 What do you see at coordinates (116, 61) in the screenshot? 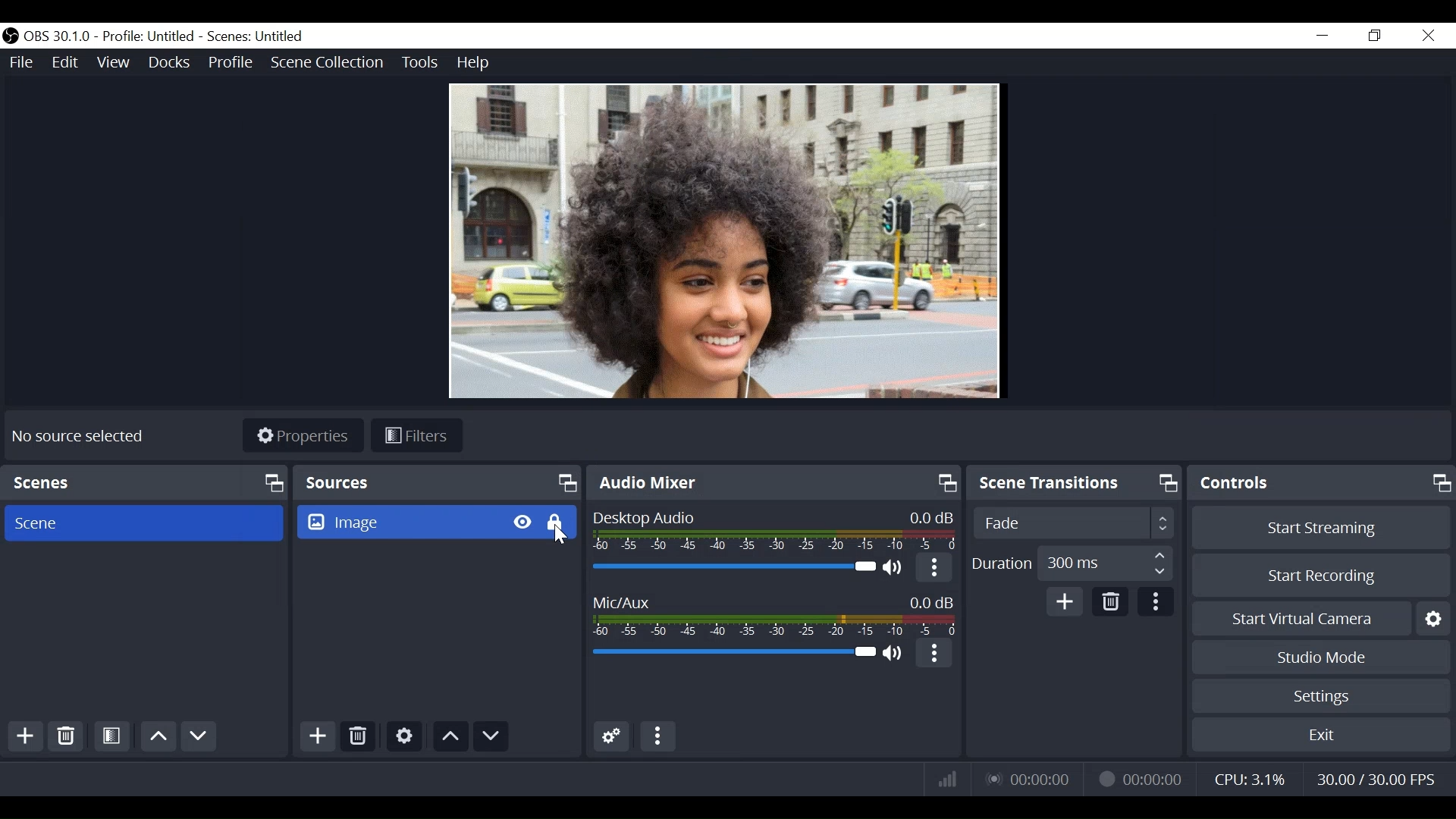
I see `View` at bounding box center [116, 61].